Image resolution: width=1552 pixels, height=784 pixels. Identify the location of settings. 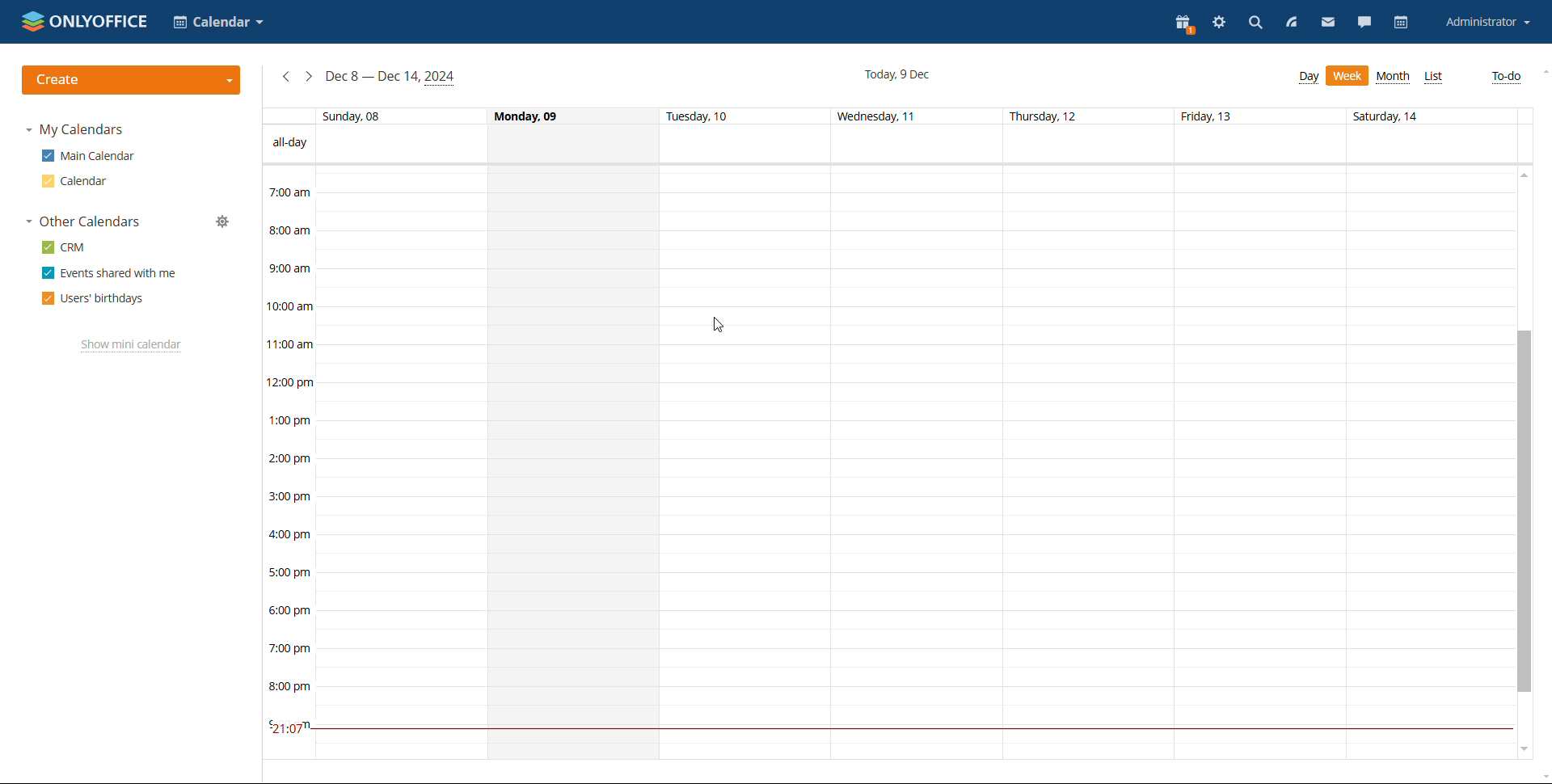
(1218, 24).